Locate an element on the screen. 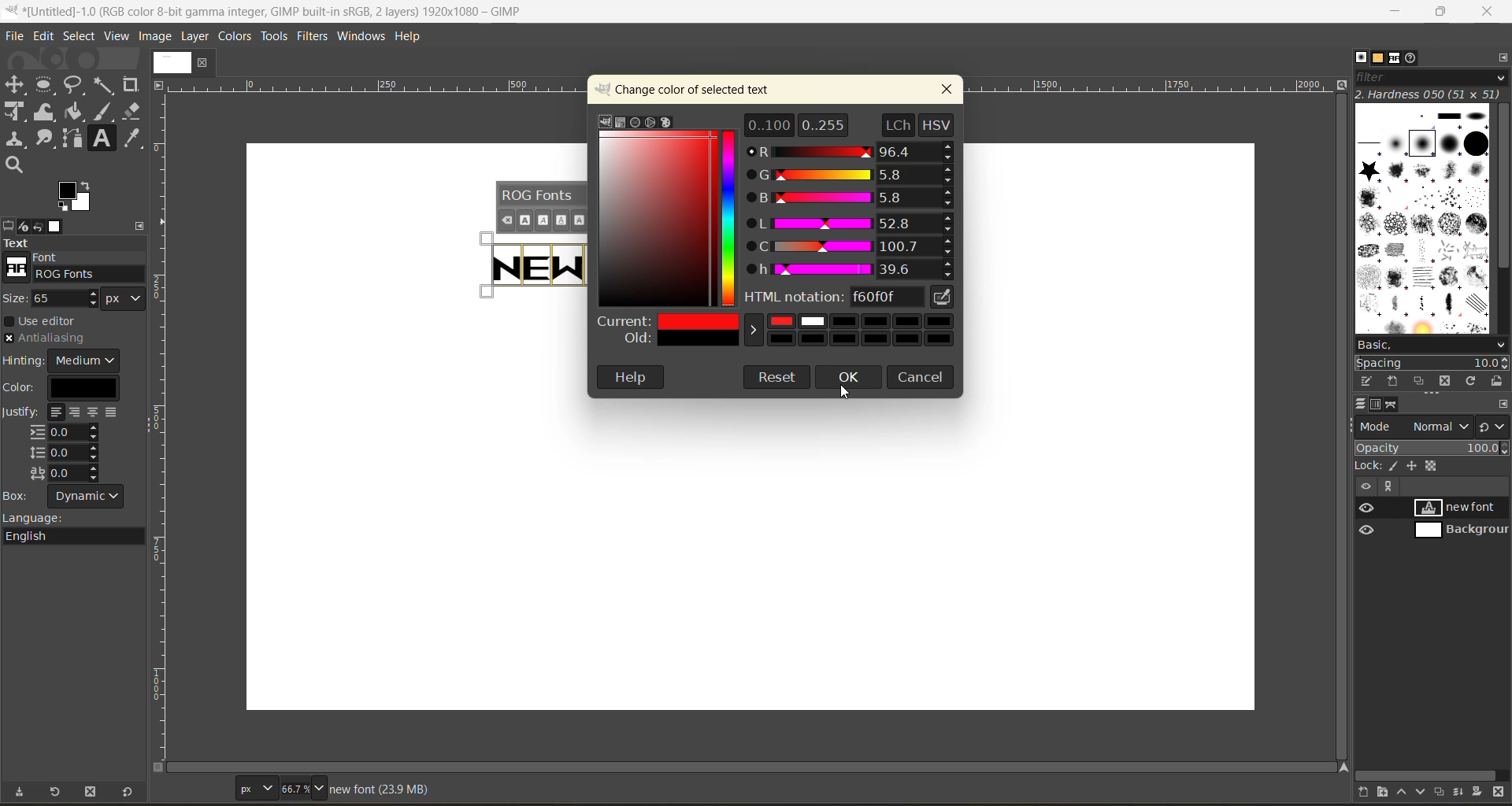 The width and height of the screenshot is (1512, 806). spacing is located at coordinates (1431, 364).